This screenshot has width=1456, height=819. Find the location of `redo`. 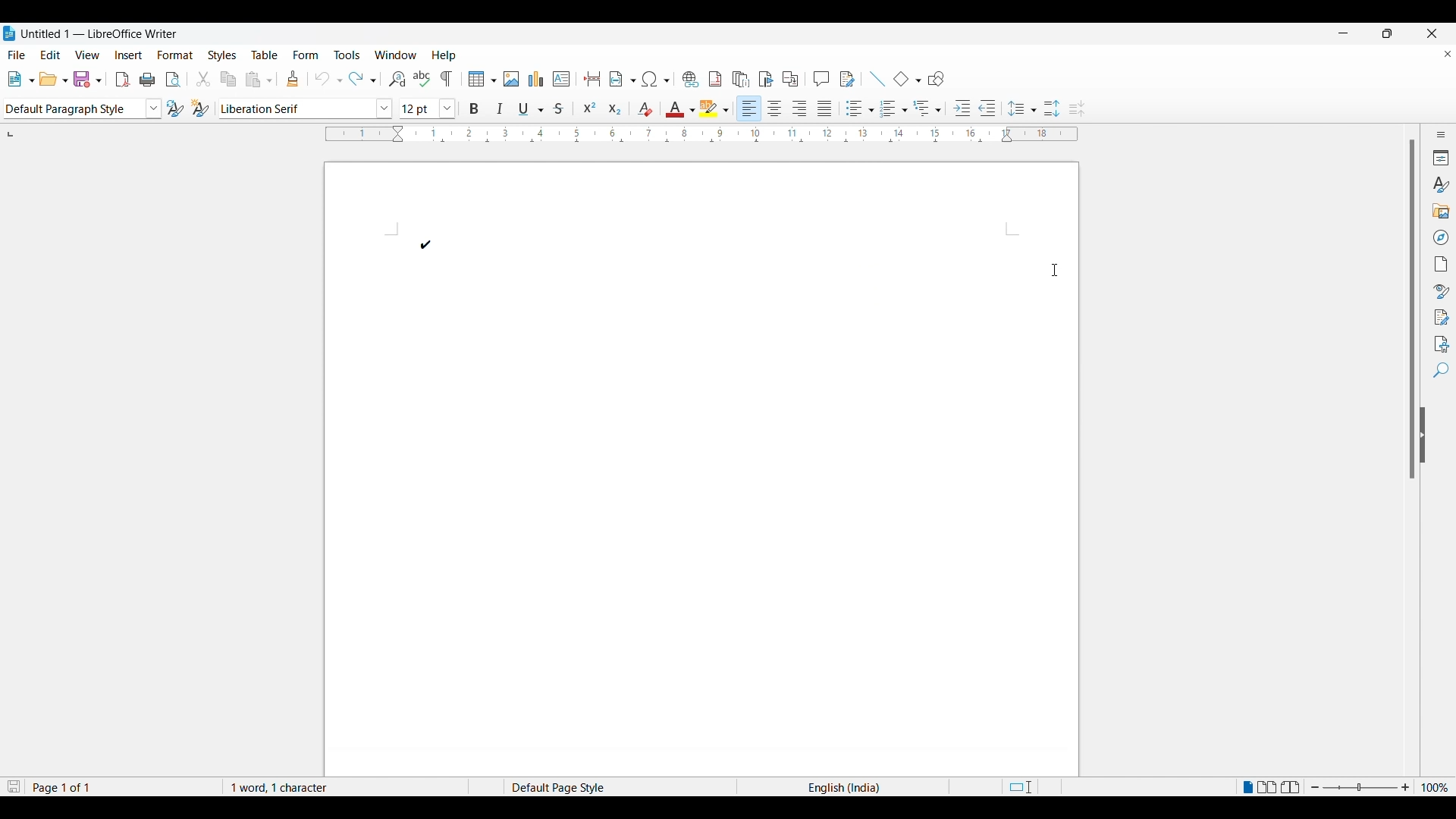

redo is located at coordinates (362, 79).